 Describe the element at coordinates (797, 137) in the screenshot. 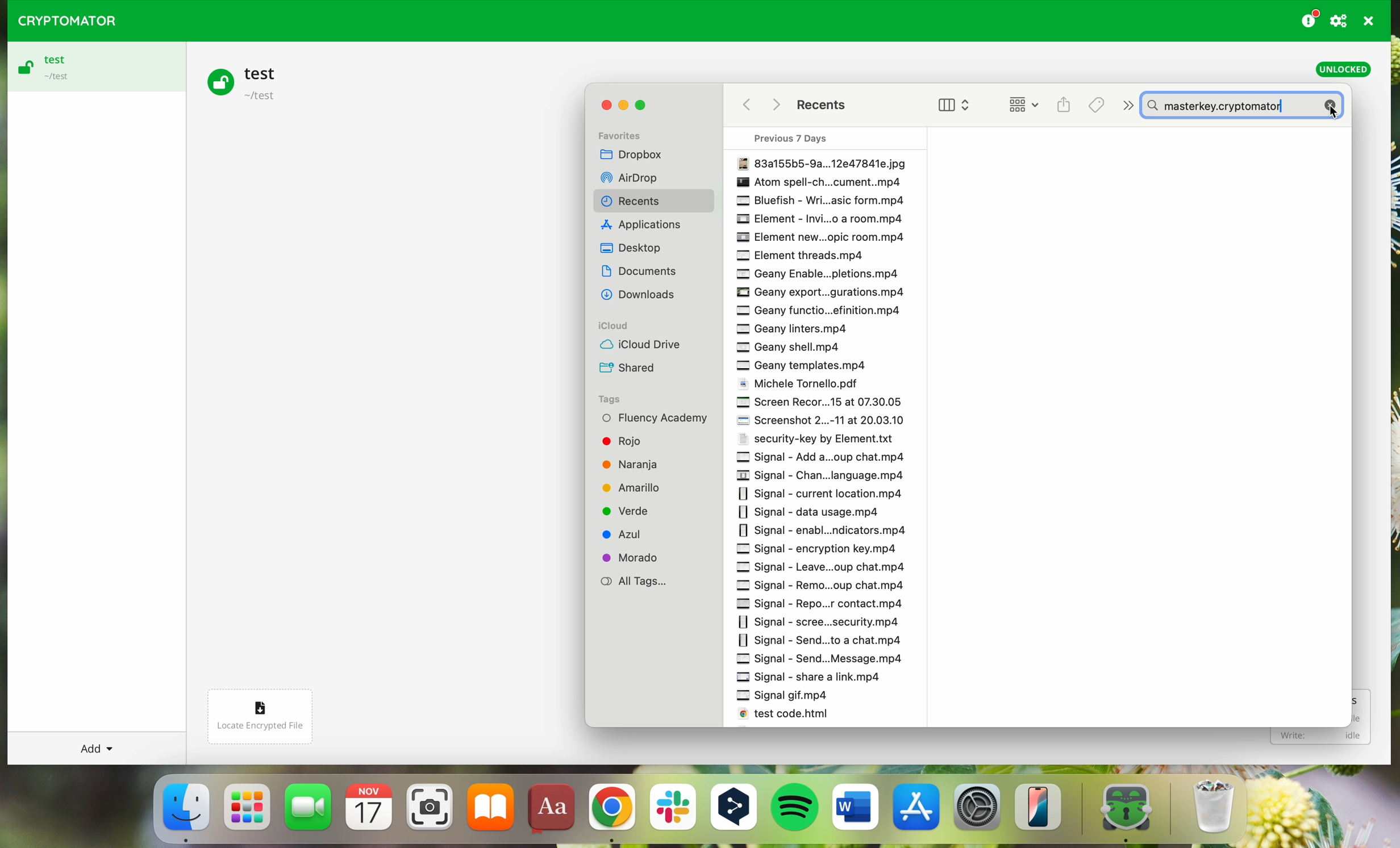

I see `Previous 7 days` at that location.